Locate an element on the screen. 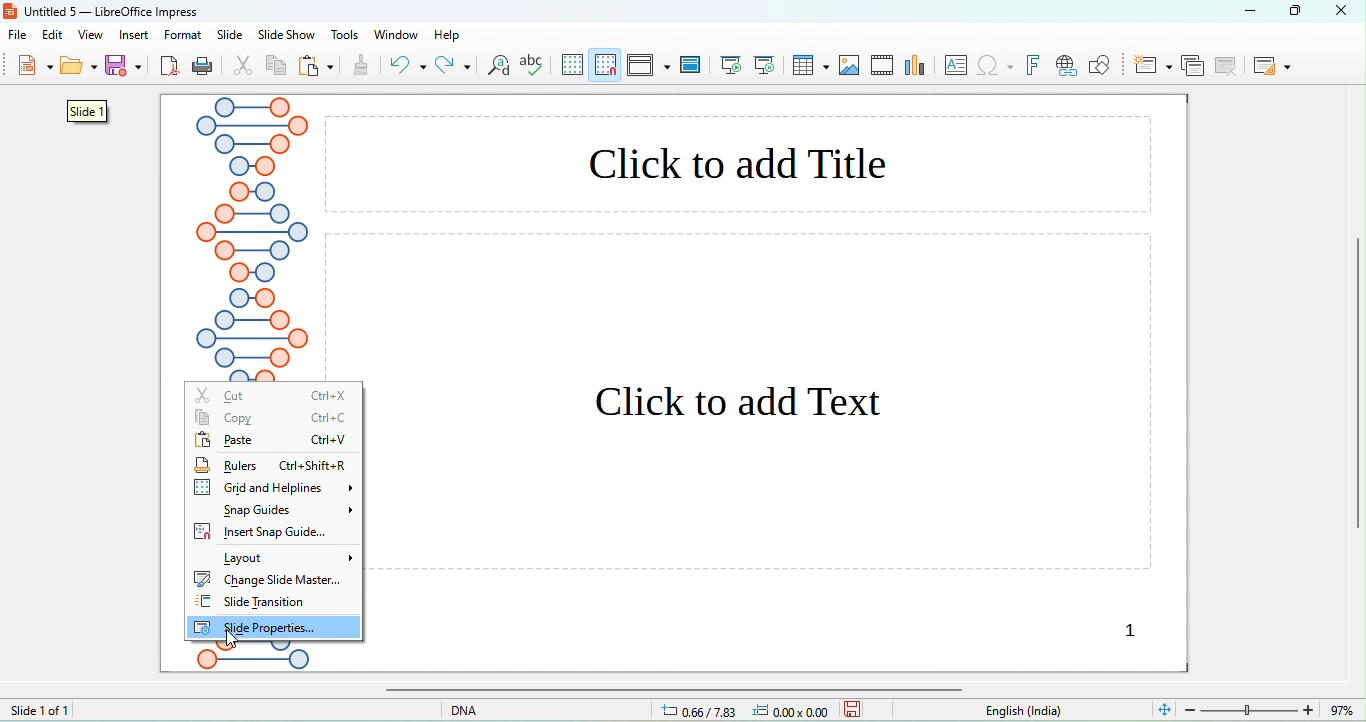  fit to current window is located at coordinates (1163, 708).